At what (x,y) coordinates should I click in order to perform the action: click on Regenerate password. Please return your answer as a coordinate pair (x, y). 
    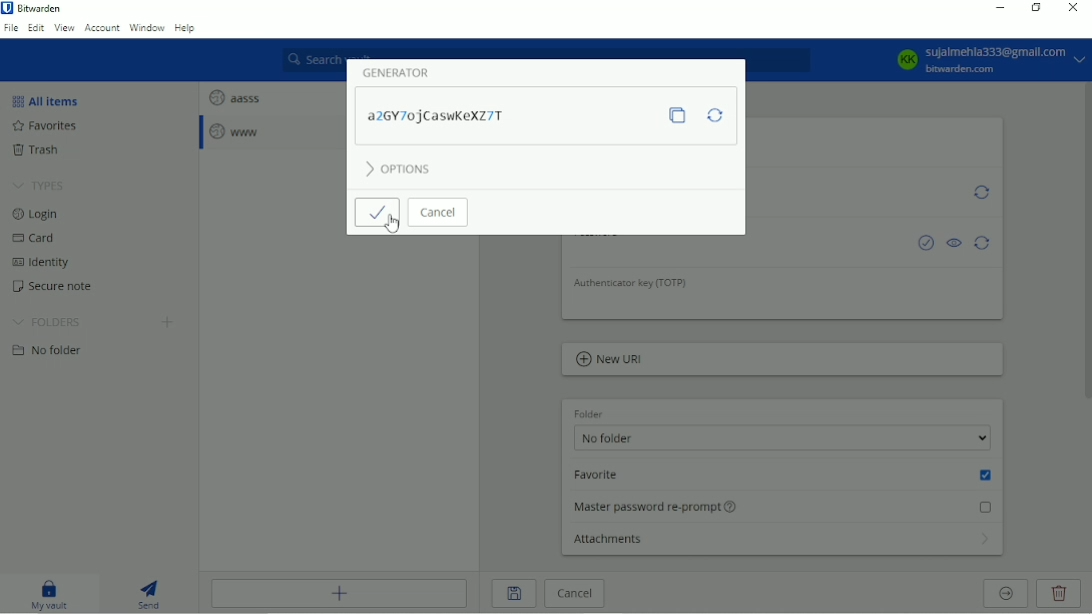
    Looking at the image, I should click on (717, 113).